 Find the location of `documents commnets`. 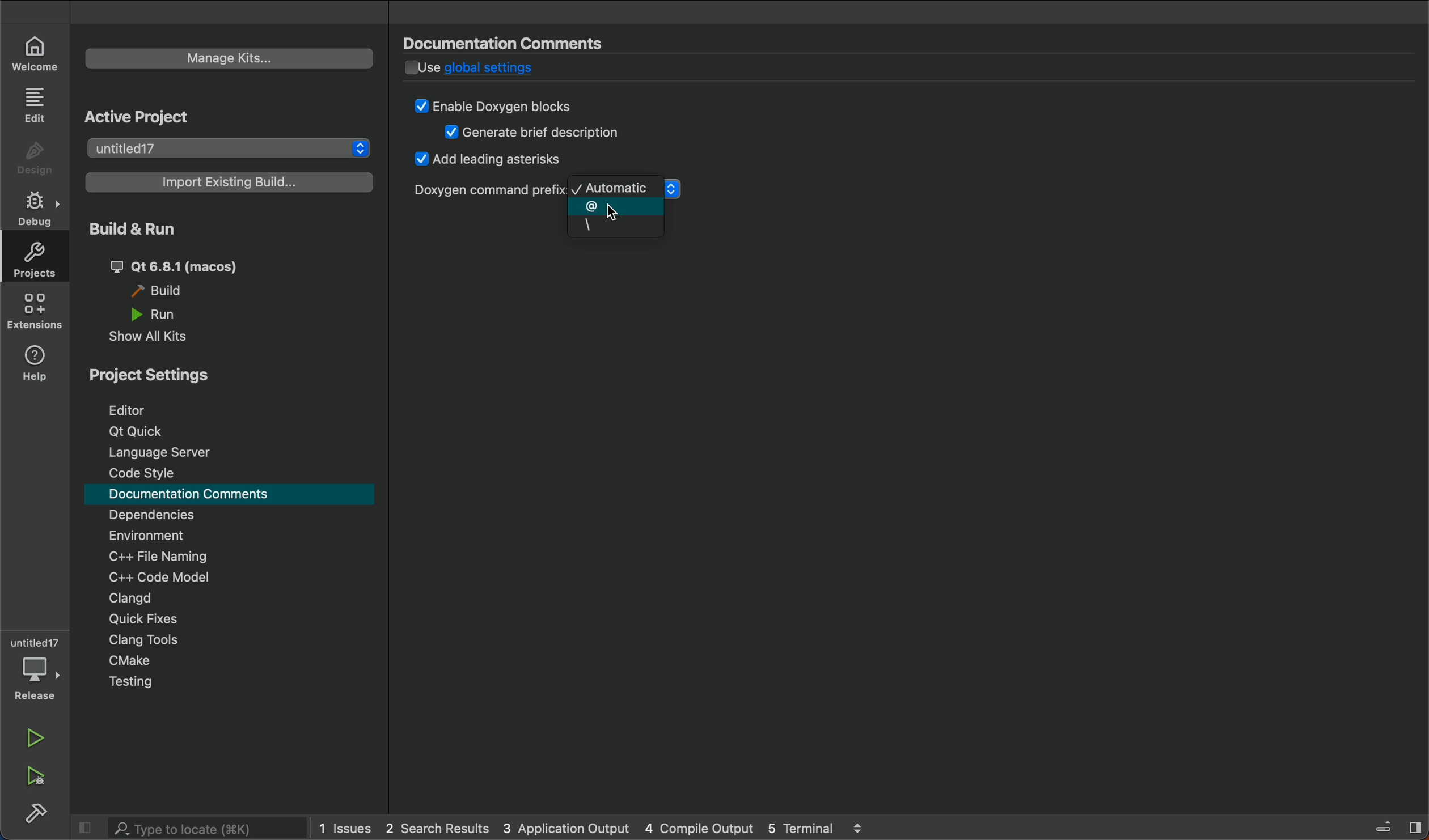

documents commnets is located at coordinates (514, 43).